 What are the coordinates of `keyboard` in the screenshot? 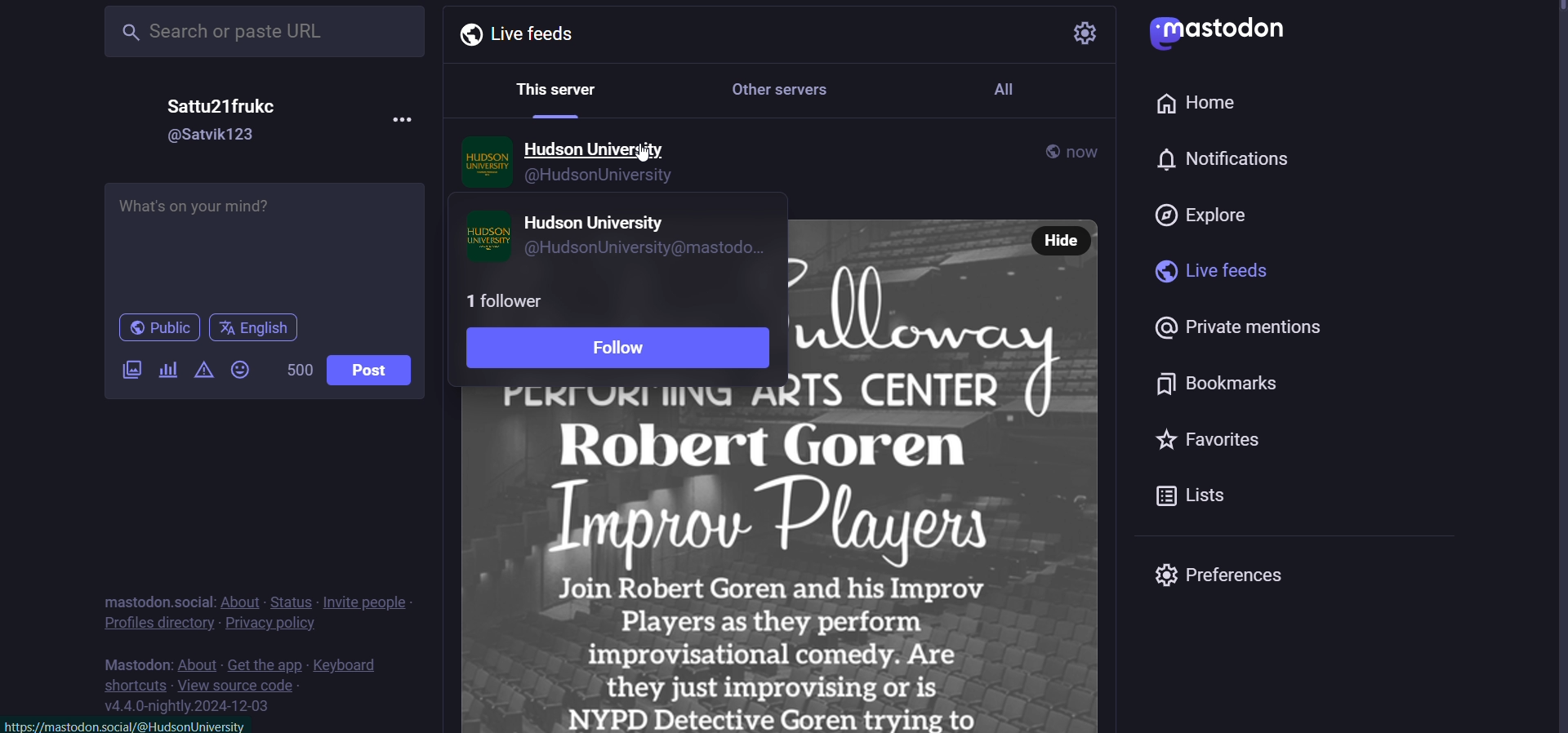 It's located at (348, 665).